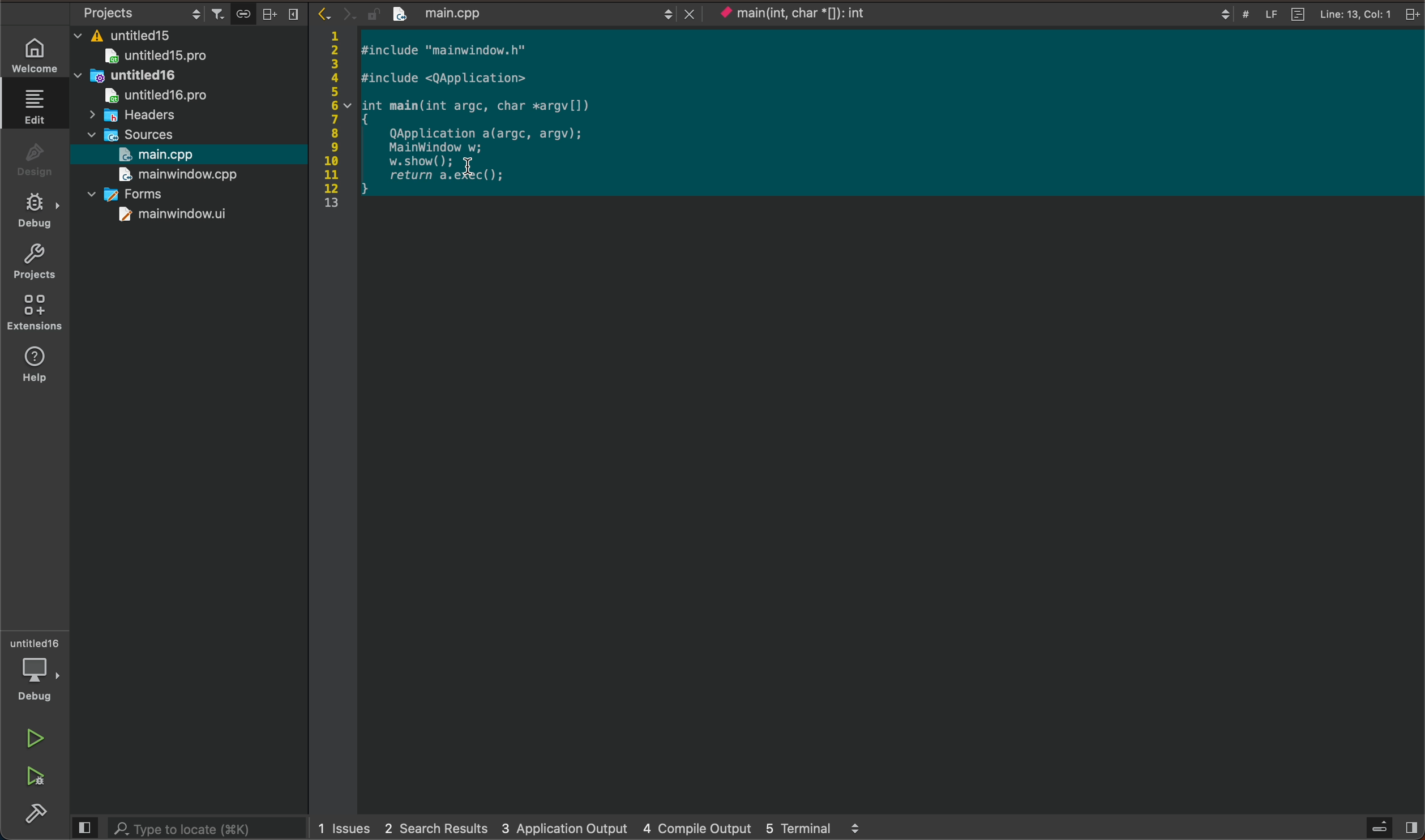  Describe the element at coordinates (244, 14) in the screenshot. I see `` at that location.